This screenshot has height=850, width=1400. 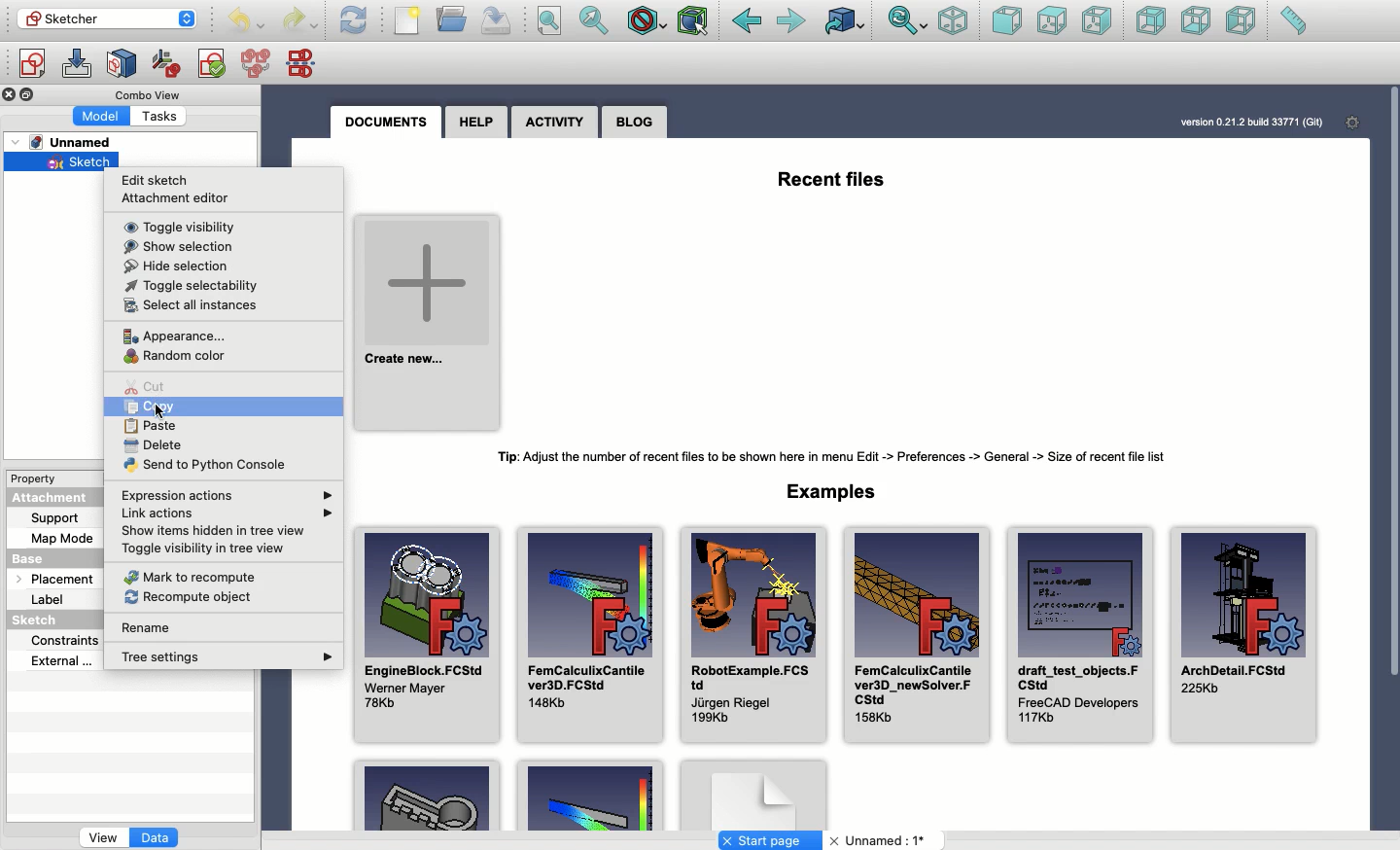 I want to click on Front, so click(x=1007, y=22).